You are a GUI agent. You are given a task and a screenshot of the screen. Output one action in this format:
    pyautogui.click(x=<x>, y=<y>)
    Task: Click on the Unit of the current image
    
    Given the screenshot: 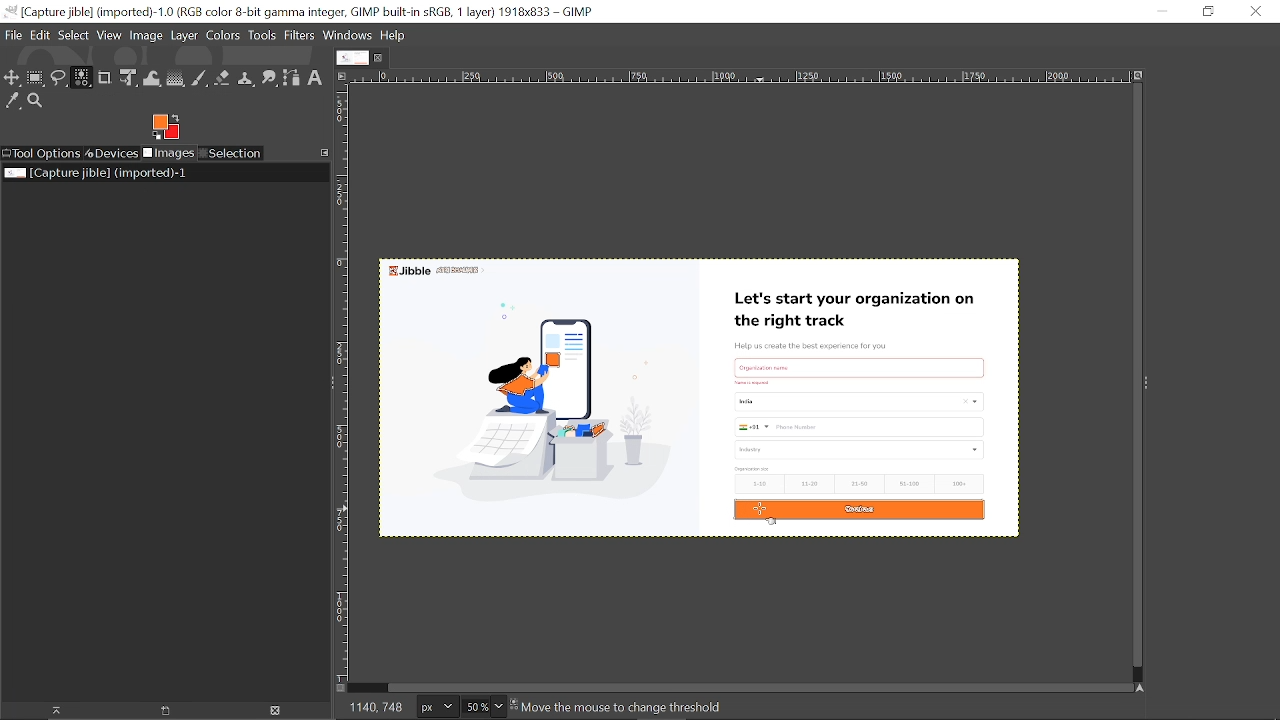 What is the action you would take?
    pyautogui.click(x=438, y=706)
    